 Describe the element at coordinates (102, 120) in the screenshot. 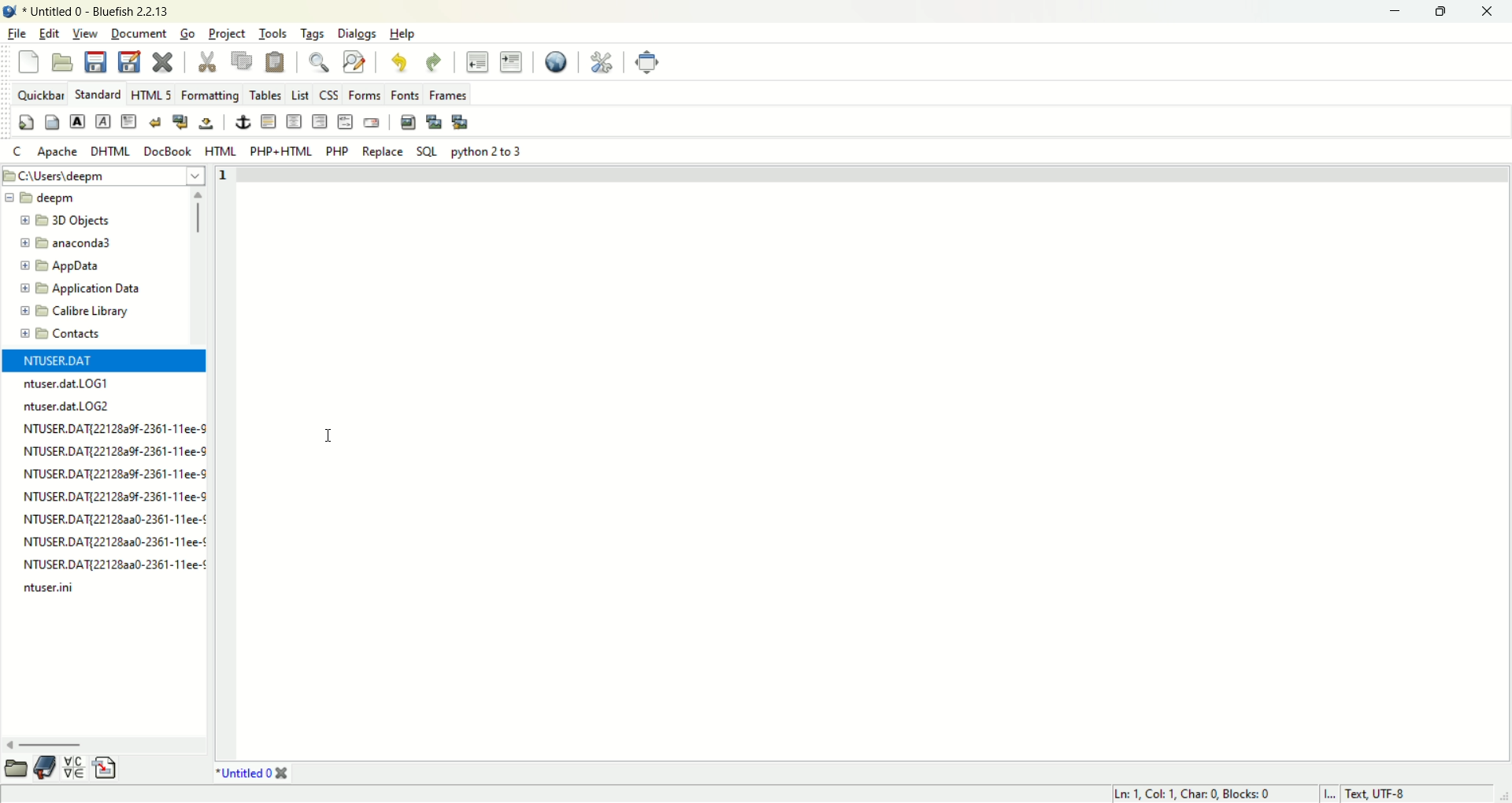

I see `emphasis` at that location.